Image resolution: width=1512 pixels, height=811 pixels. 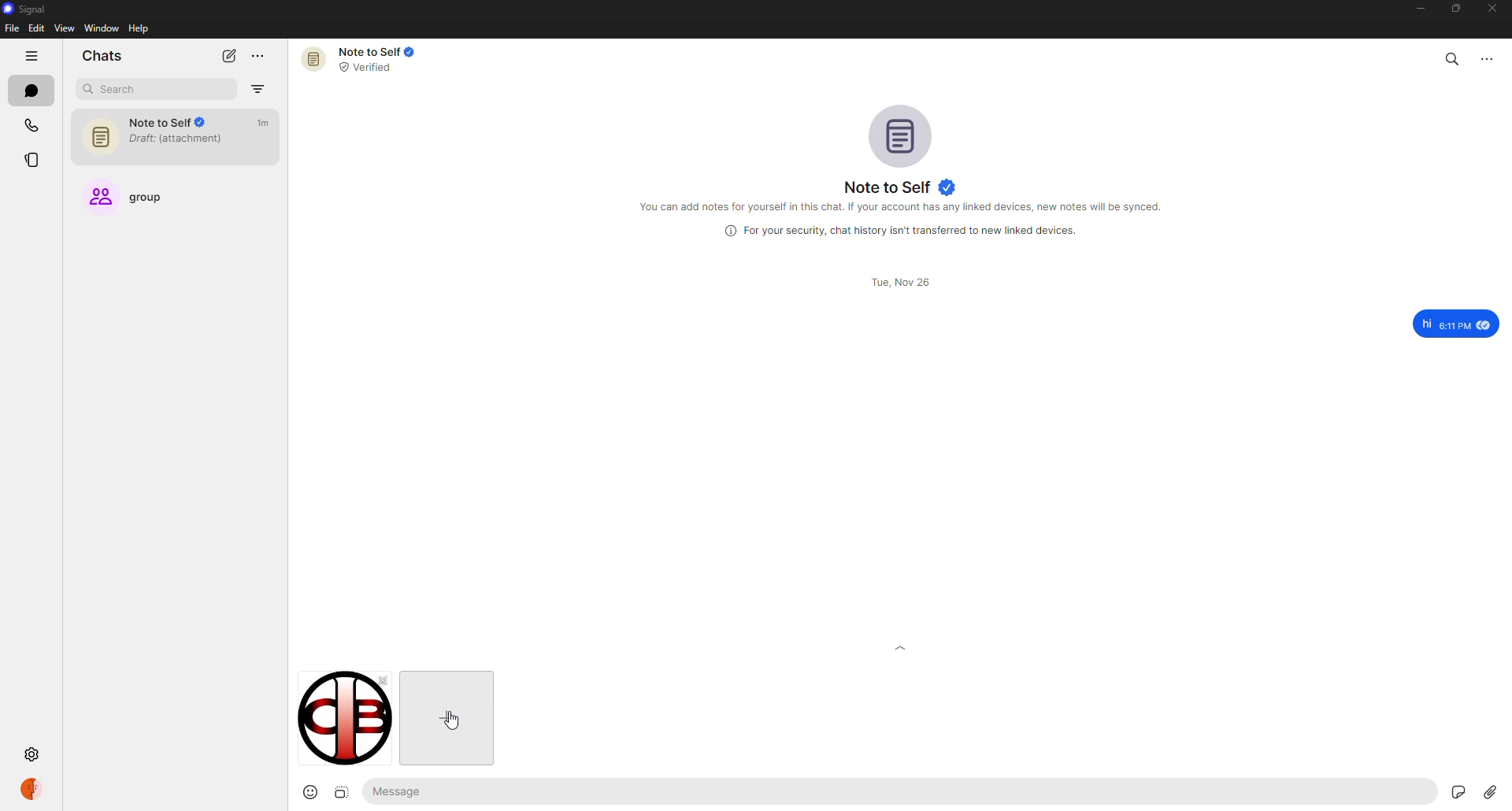 What do you see at coordinates (899, 136) in the screenshot?
I see `profile pic` at bounding box center [899, 136].